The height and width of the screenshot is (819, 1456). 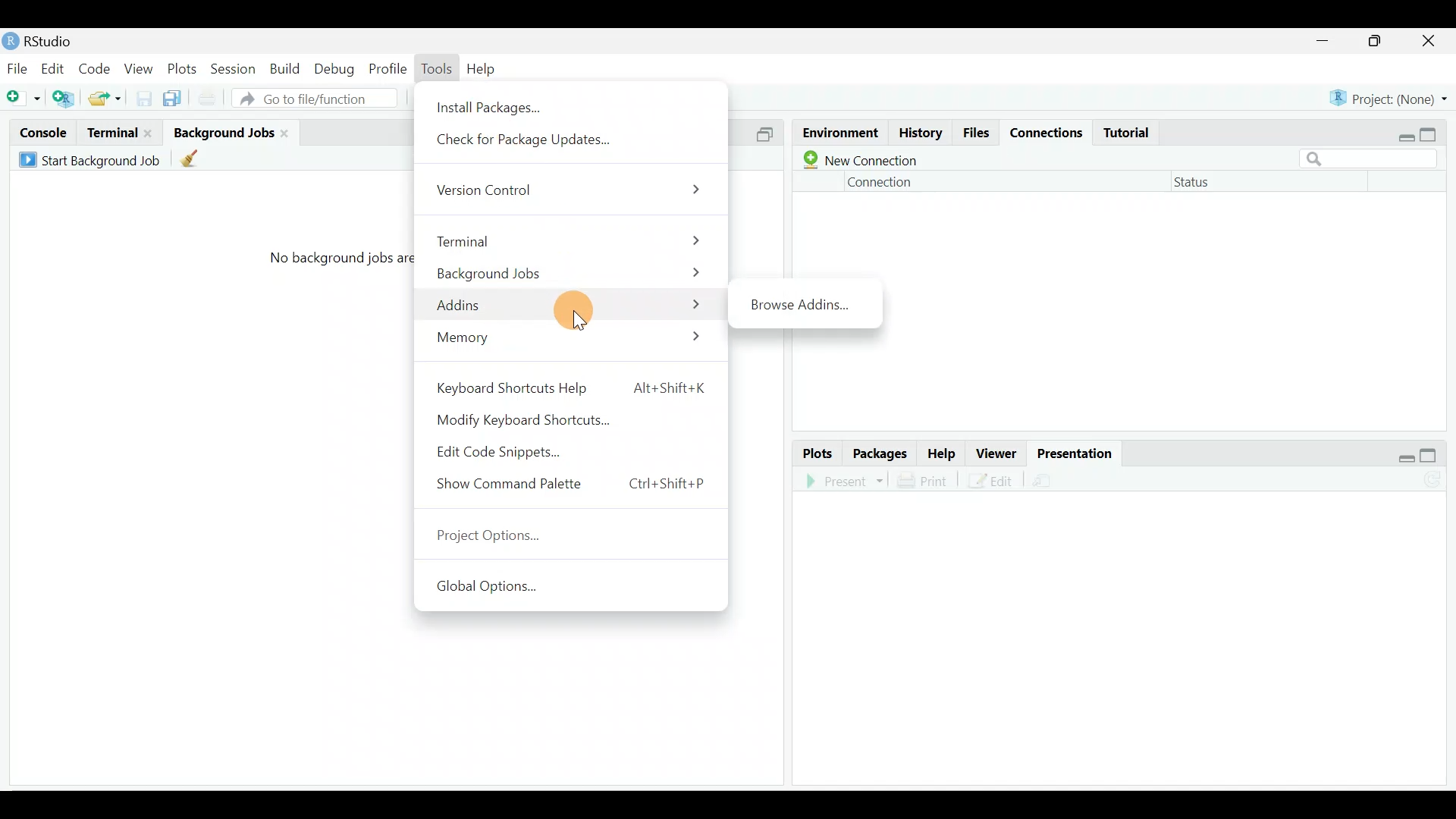 I want to click on Connection, so click(x=878, y=182).